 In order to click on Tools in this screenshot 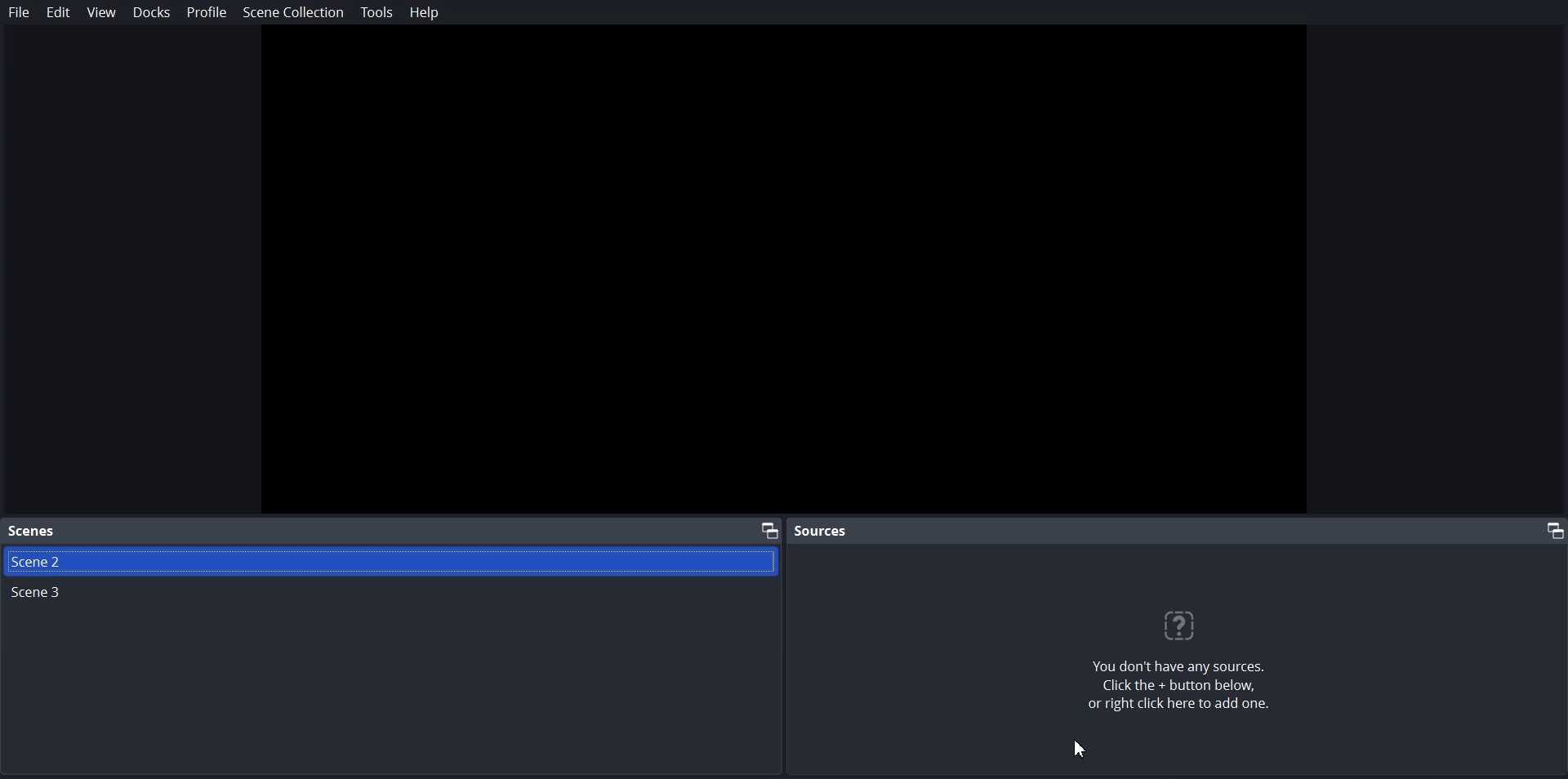, I will do `click(376, 12)`.